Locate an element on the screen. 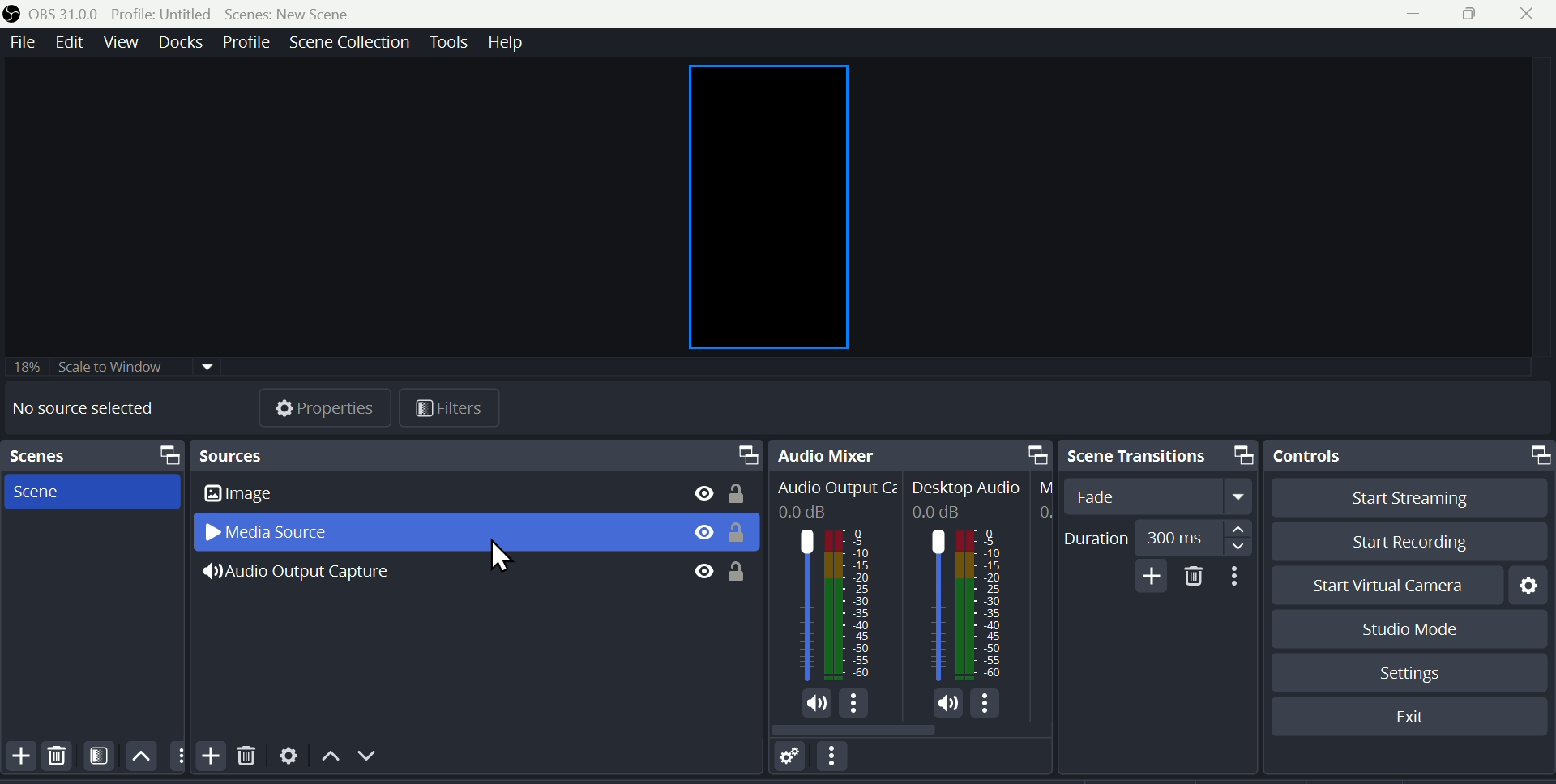 This screenshot has width=1556, height=784. maximise is located at coordinates (1473, 15).